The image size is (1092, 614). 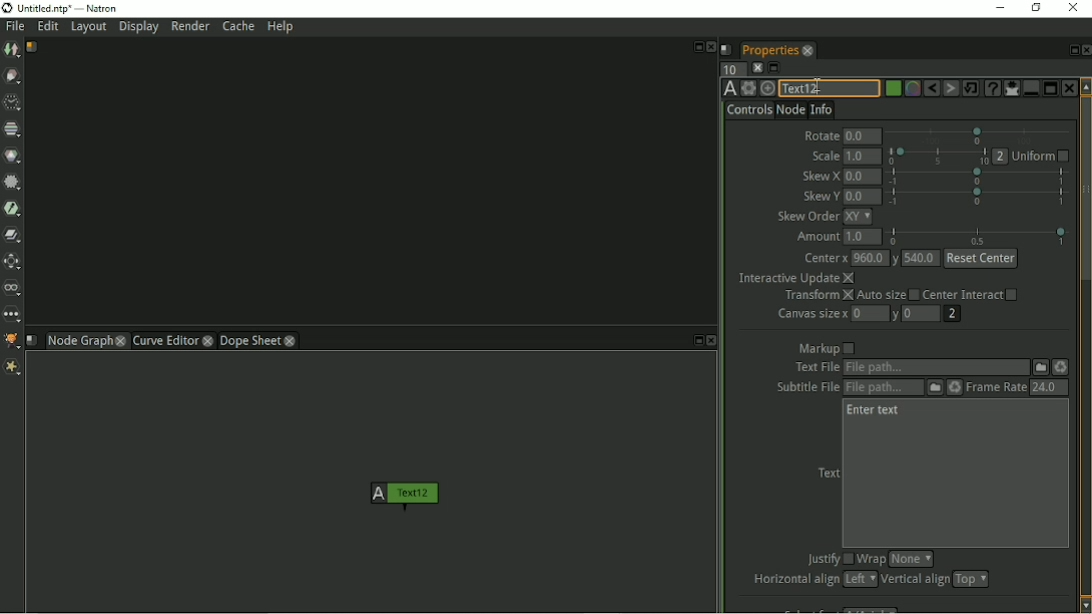 I want to click on Render, so click(x=190, y=26).